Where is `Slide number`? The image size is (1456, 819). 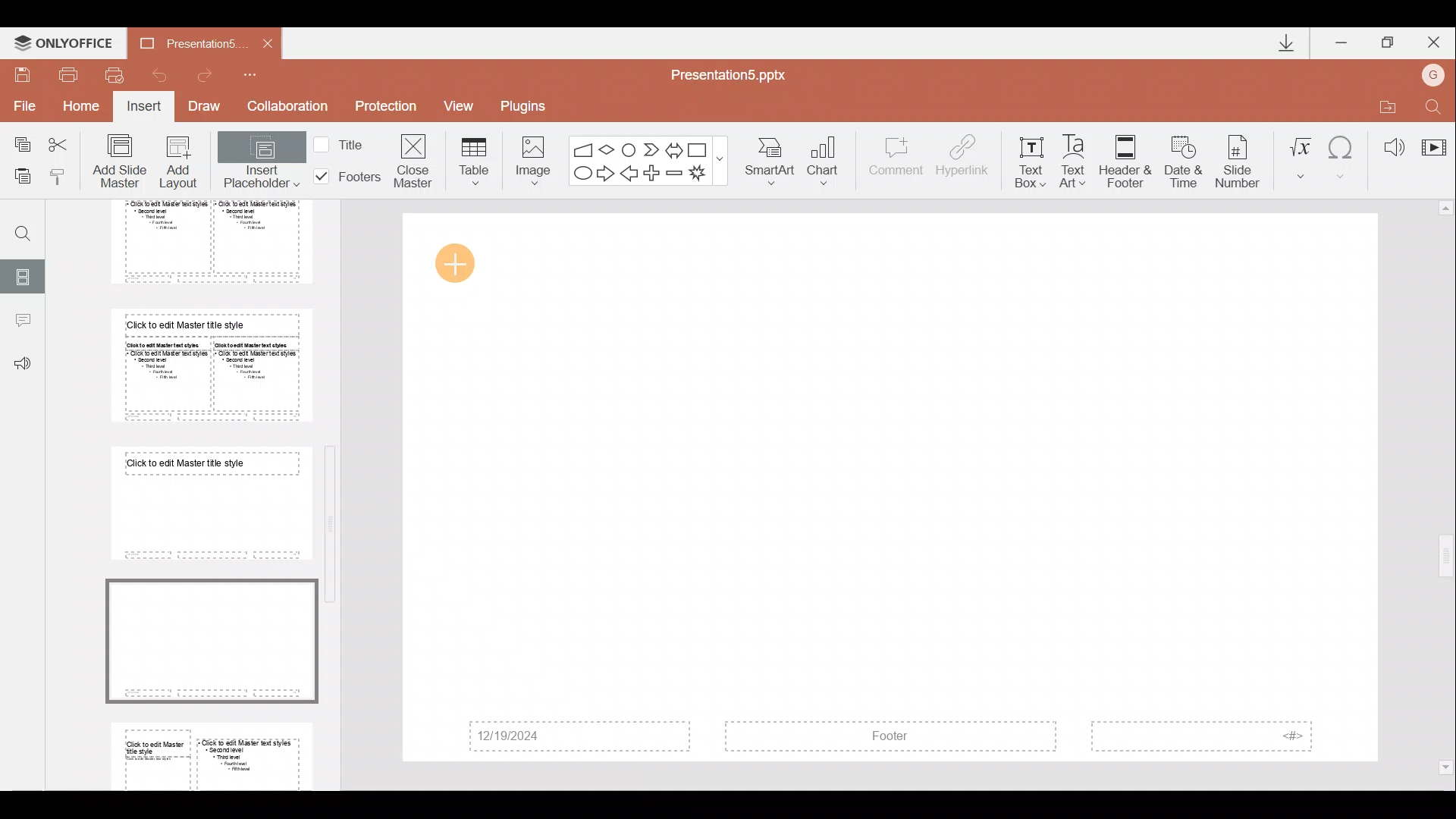
Slide number is located at coordinates (1241, 158).